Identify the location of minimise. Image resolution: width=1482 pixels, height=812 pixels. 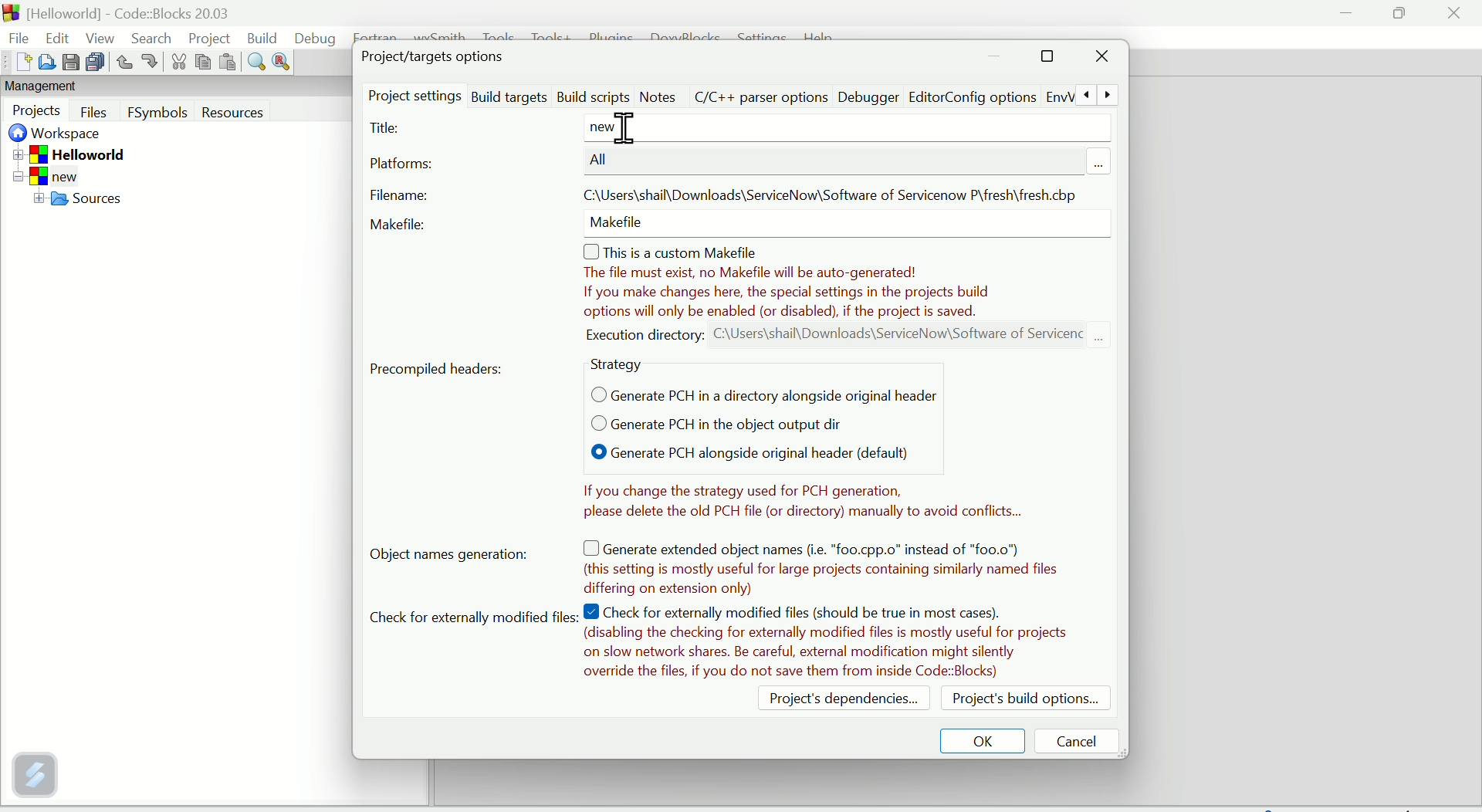
(1347, 15).